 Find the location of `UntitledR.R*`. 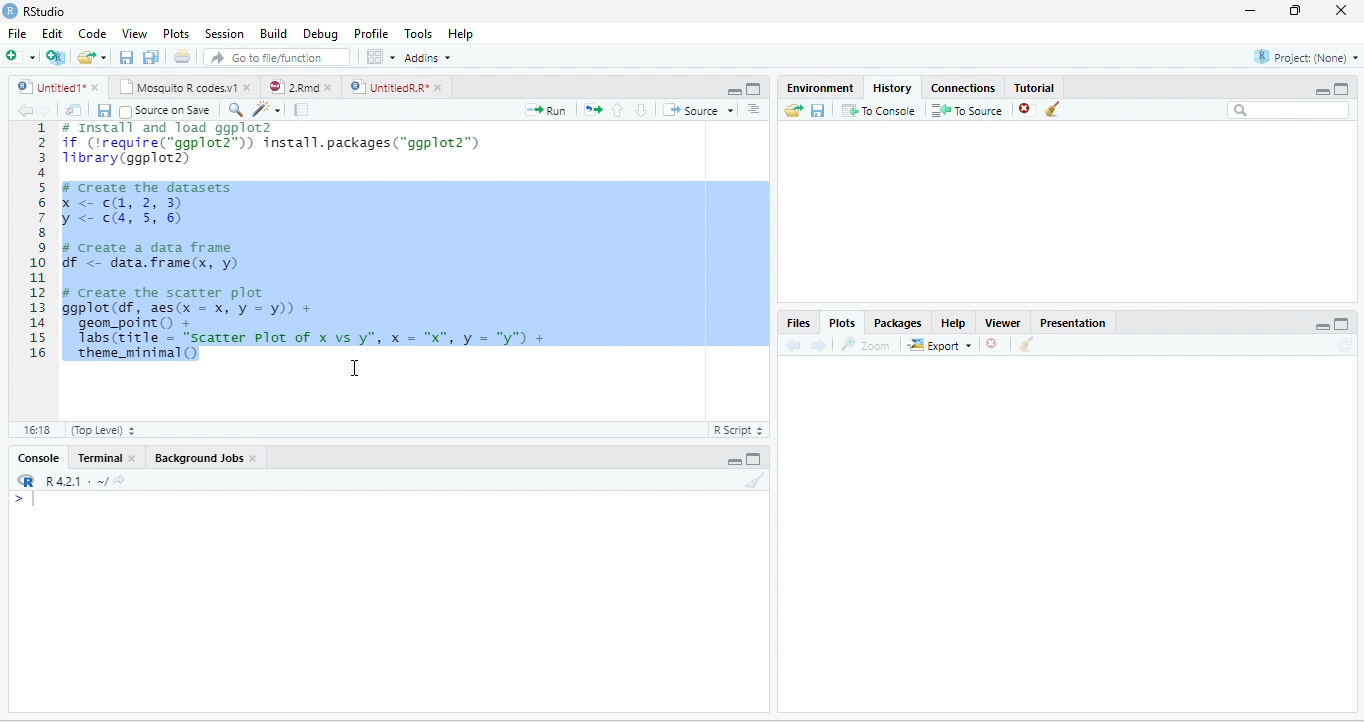

UntitledR.R* is located at coordinates (387, 87).